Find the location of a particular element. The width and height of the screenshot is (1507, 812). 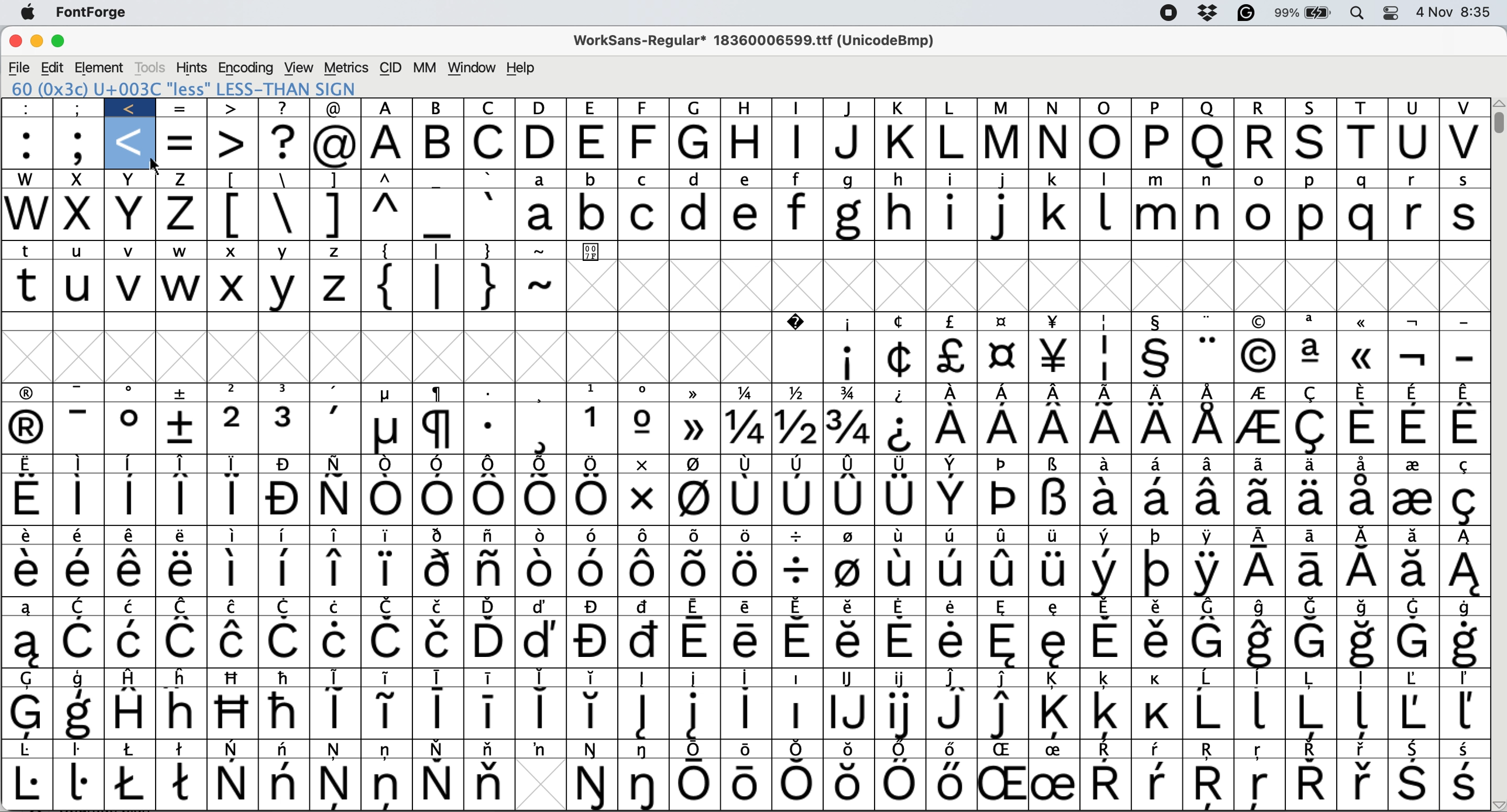

Symbol is located at coordinates (1464, 644).